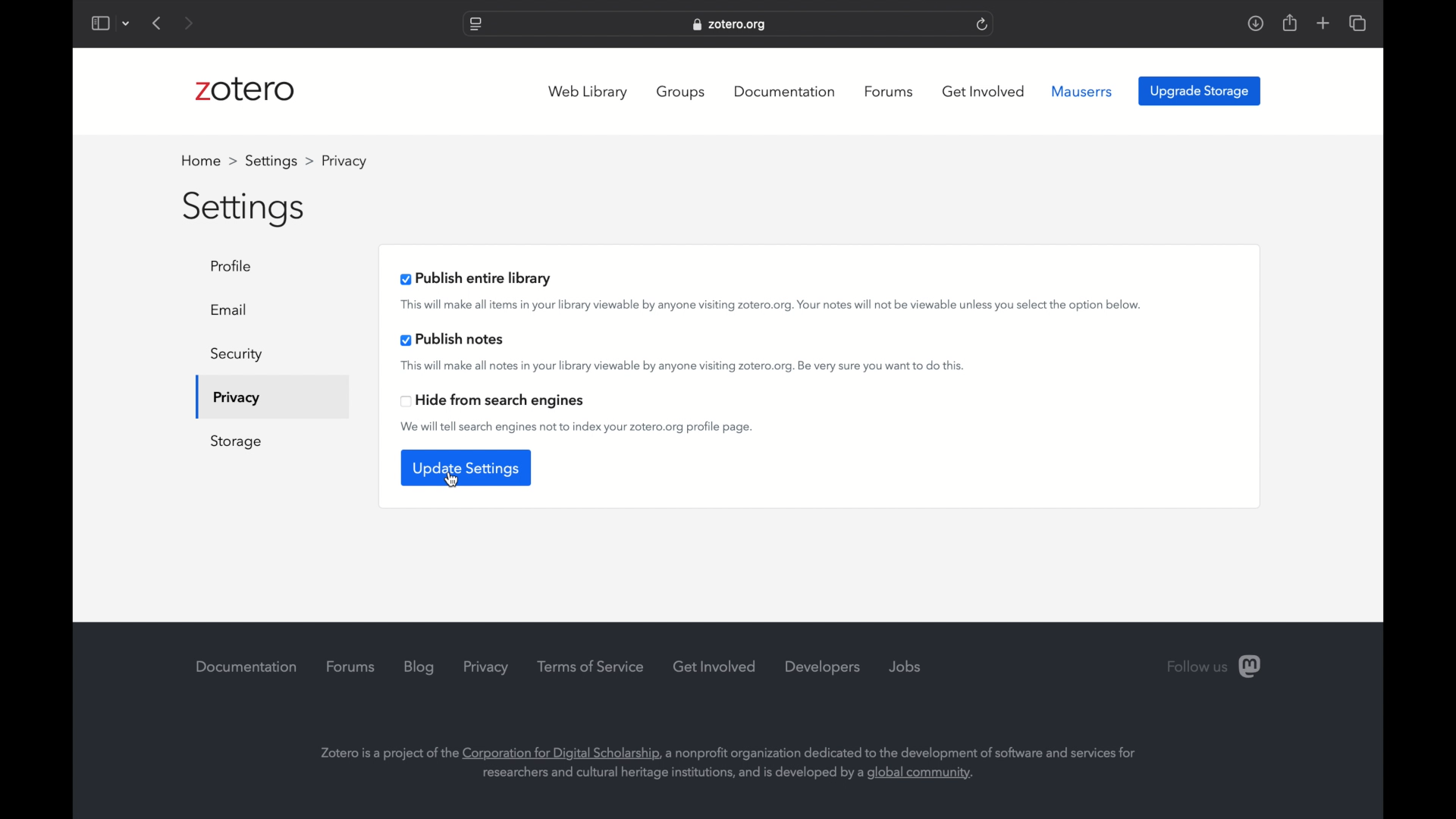 Image resolution: width=1456 pixels, height=819 pixels. I want to click on this will make all notes inn your library viewable, so click(681, 367).